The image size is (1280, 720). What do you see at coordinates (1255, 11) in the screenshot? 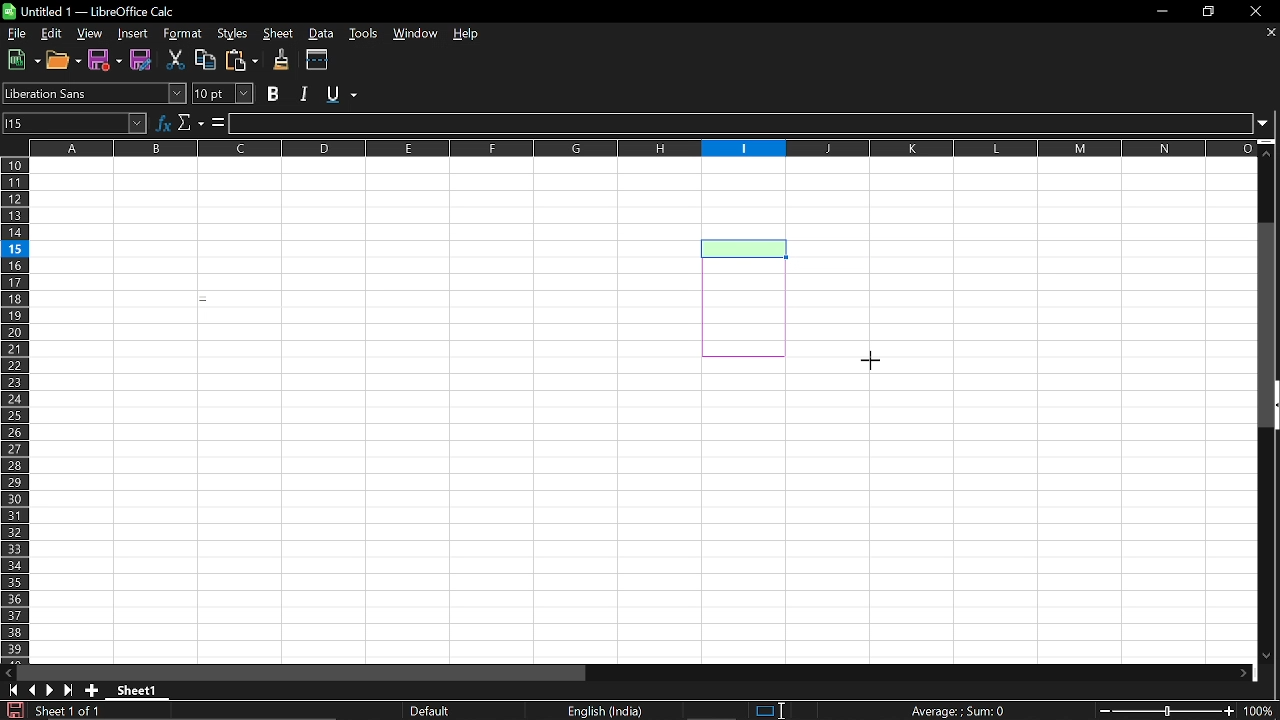
I see `CLose` at bounding box center [1255, 11].